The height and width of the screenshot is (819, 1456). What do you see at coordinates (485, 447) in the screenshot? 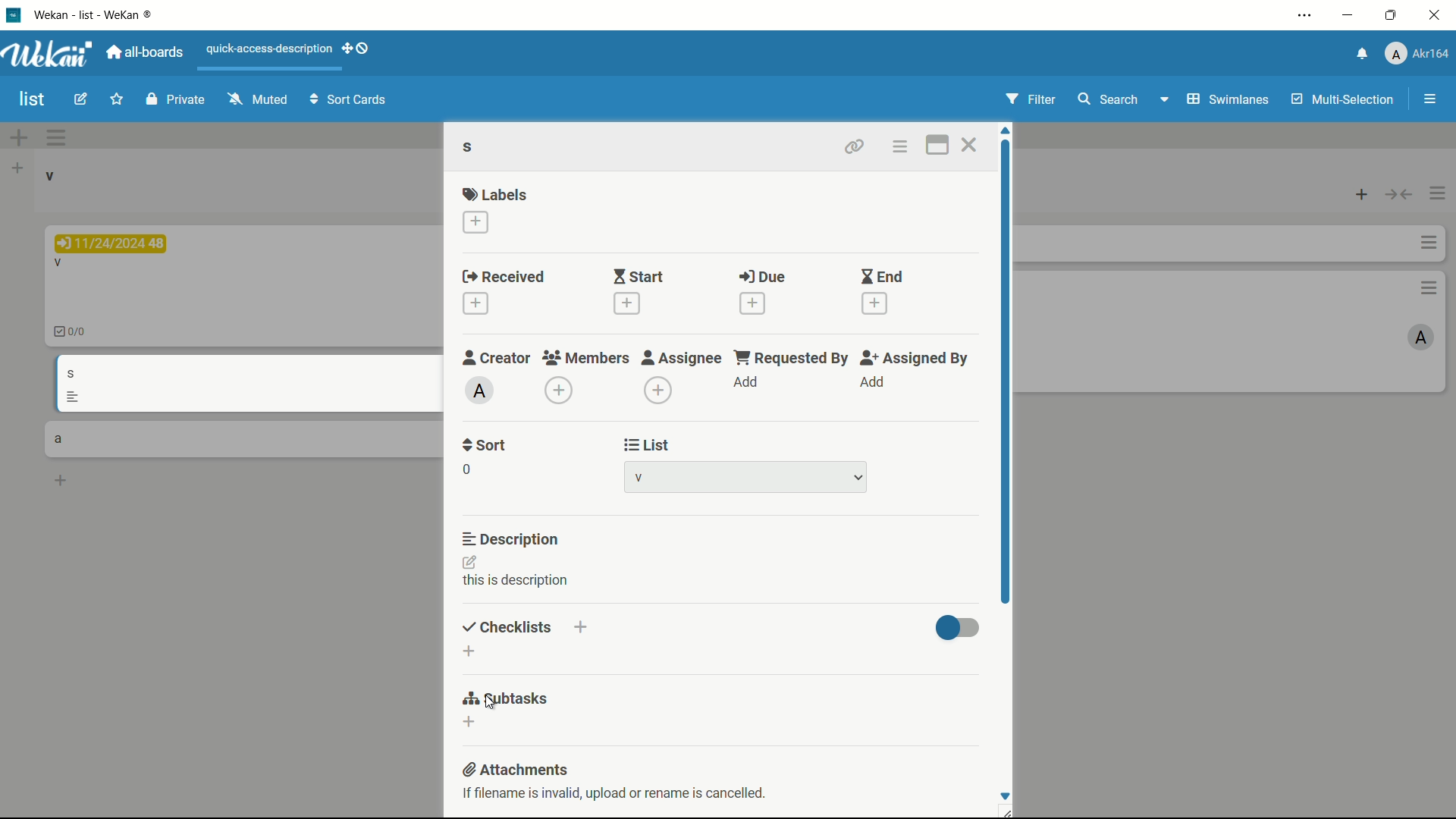
I see `sort` at bounding box center [485, 447].